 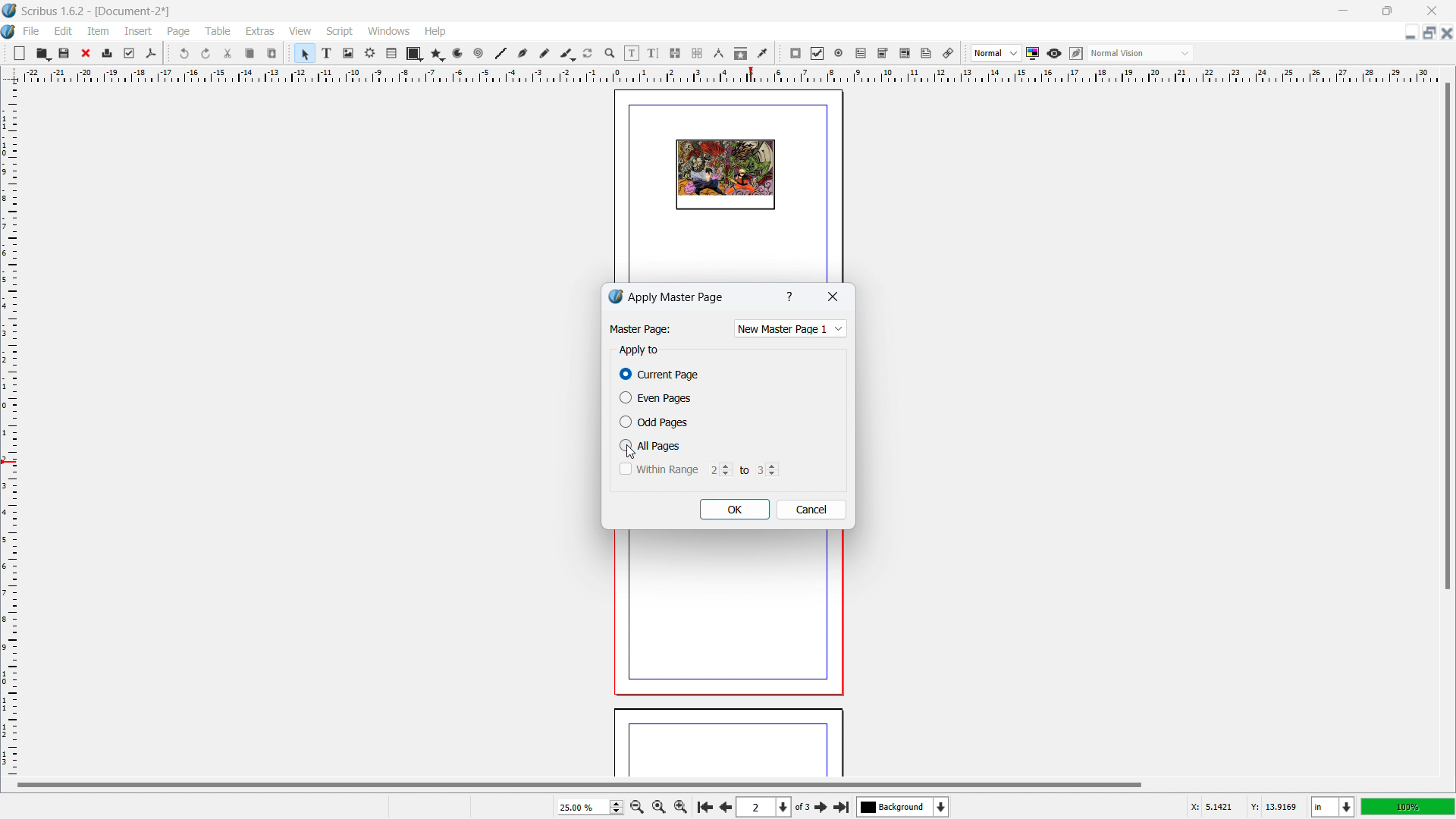 I want to click on copy, so click(x=251, y=53).